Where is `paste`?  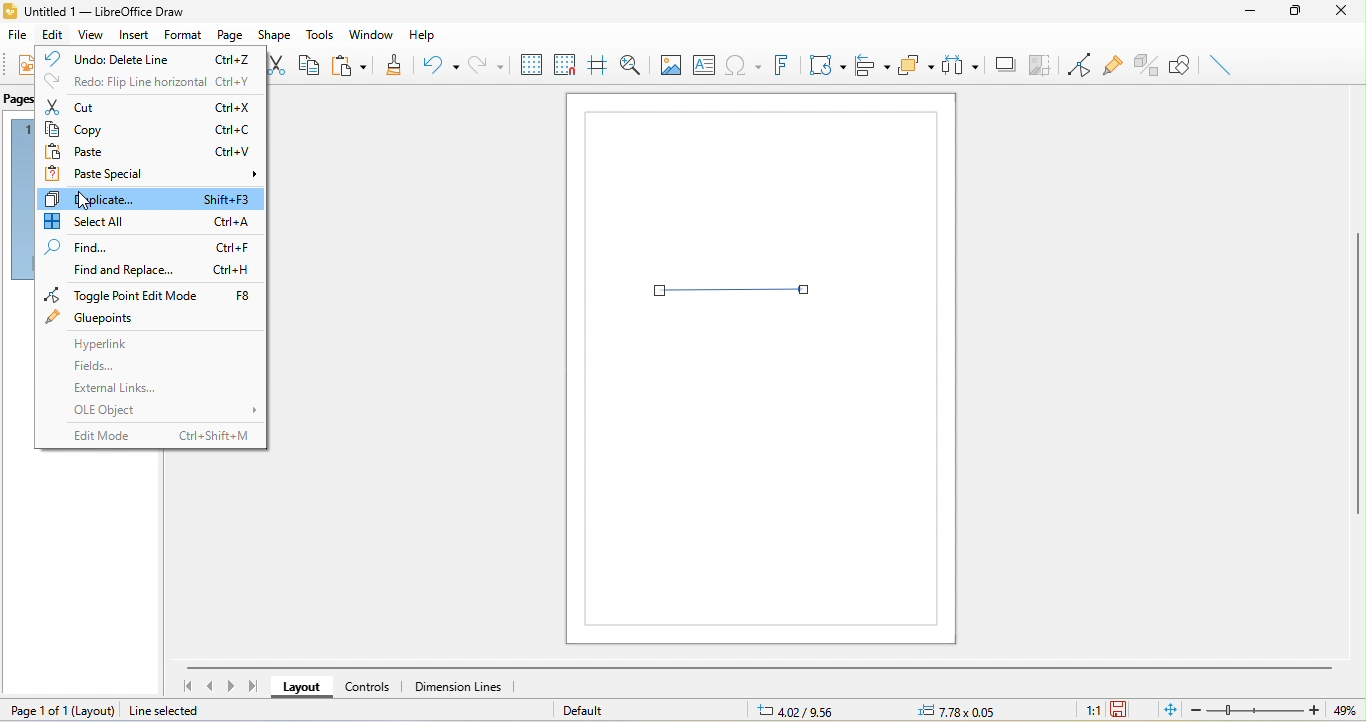 paste is located at coordinates (154, 151).